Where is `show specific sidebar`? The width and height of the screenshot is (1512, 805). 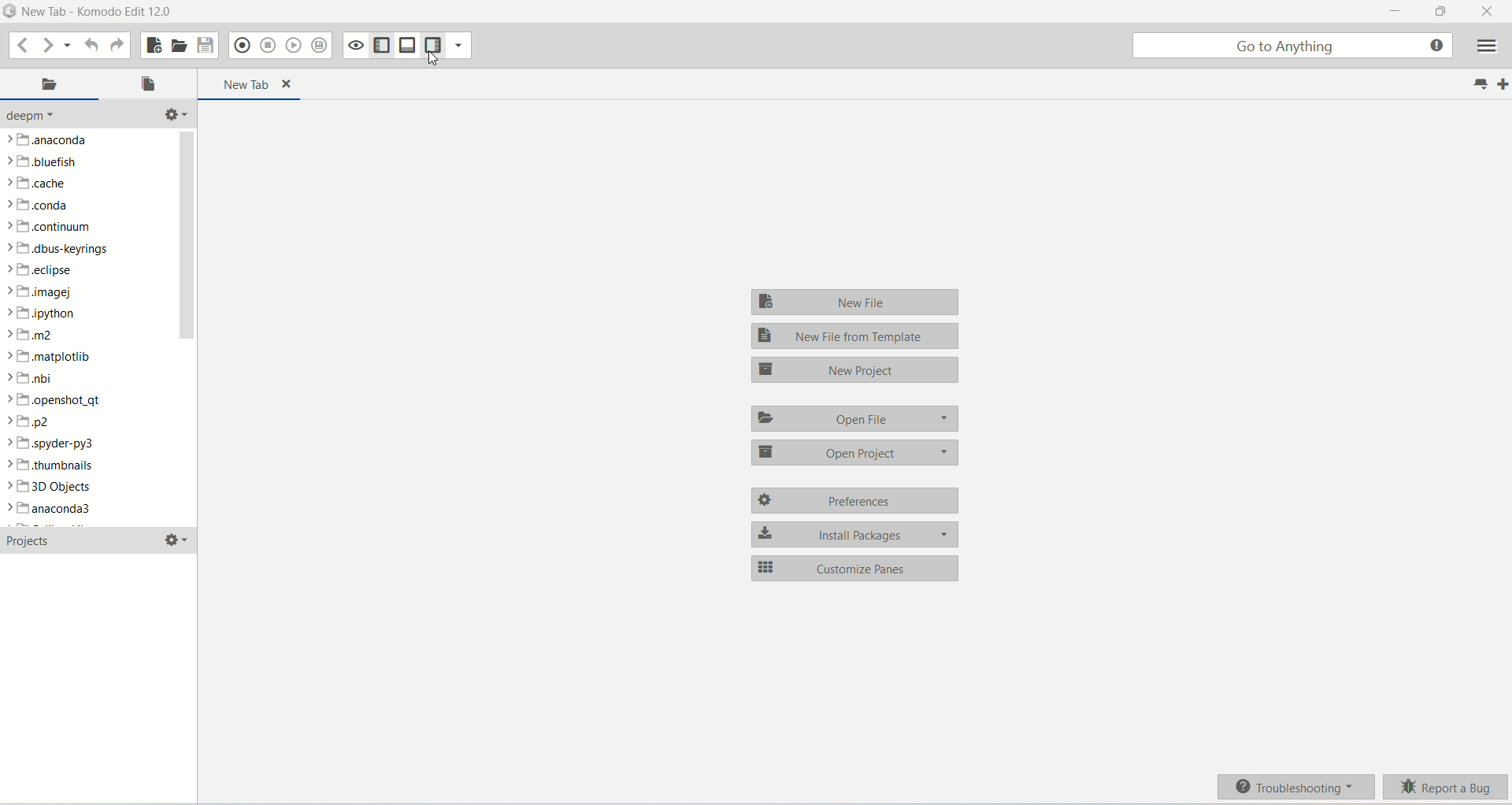 show specific sidebar is located at coordinates (461, 46).